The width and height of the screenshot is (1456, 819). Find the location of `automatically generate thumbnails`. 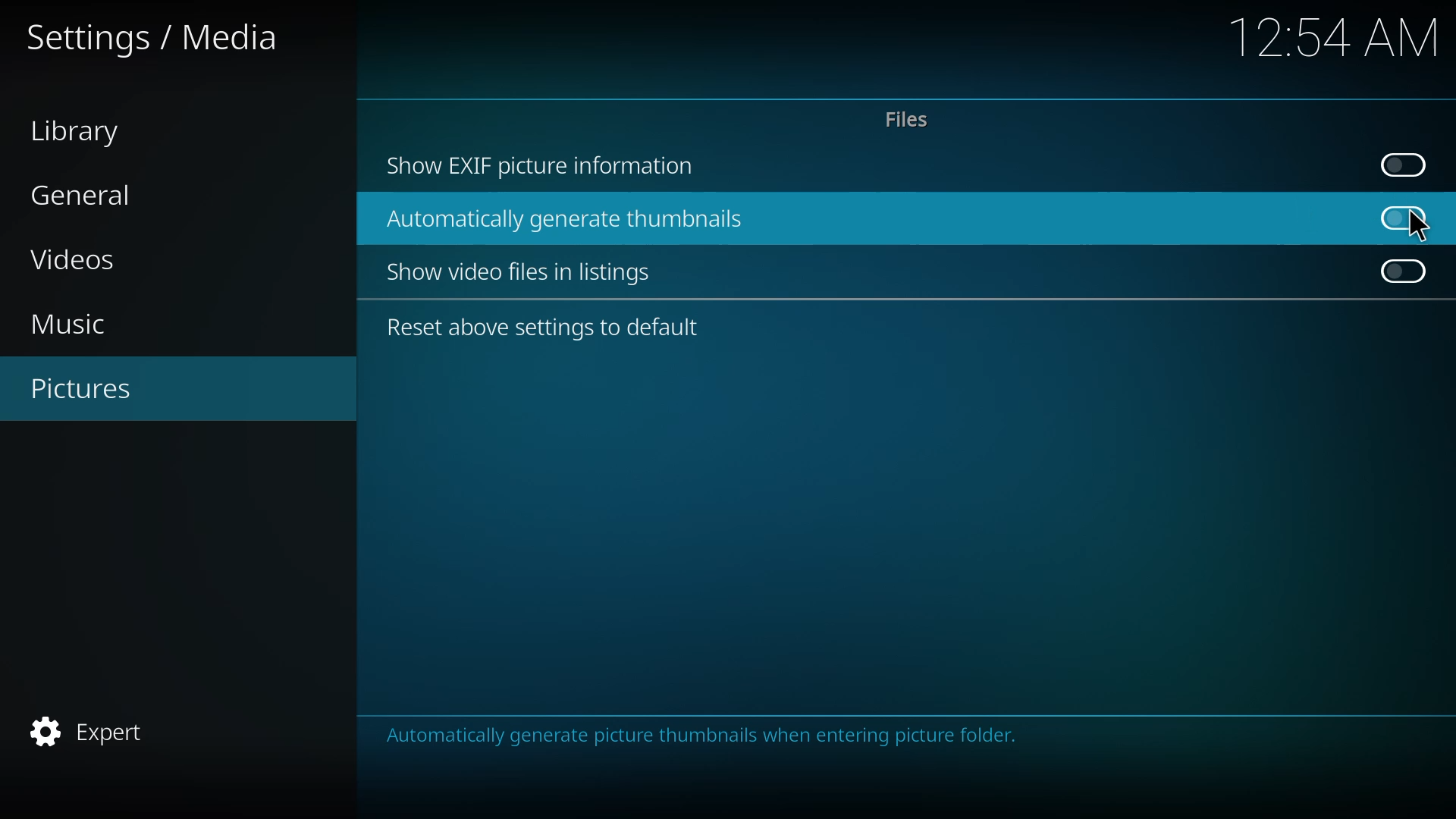

automatically generate thumbnails is located at coordinates (567, 221).